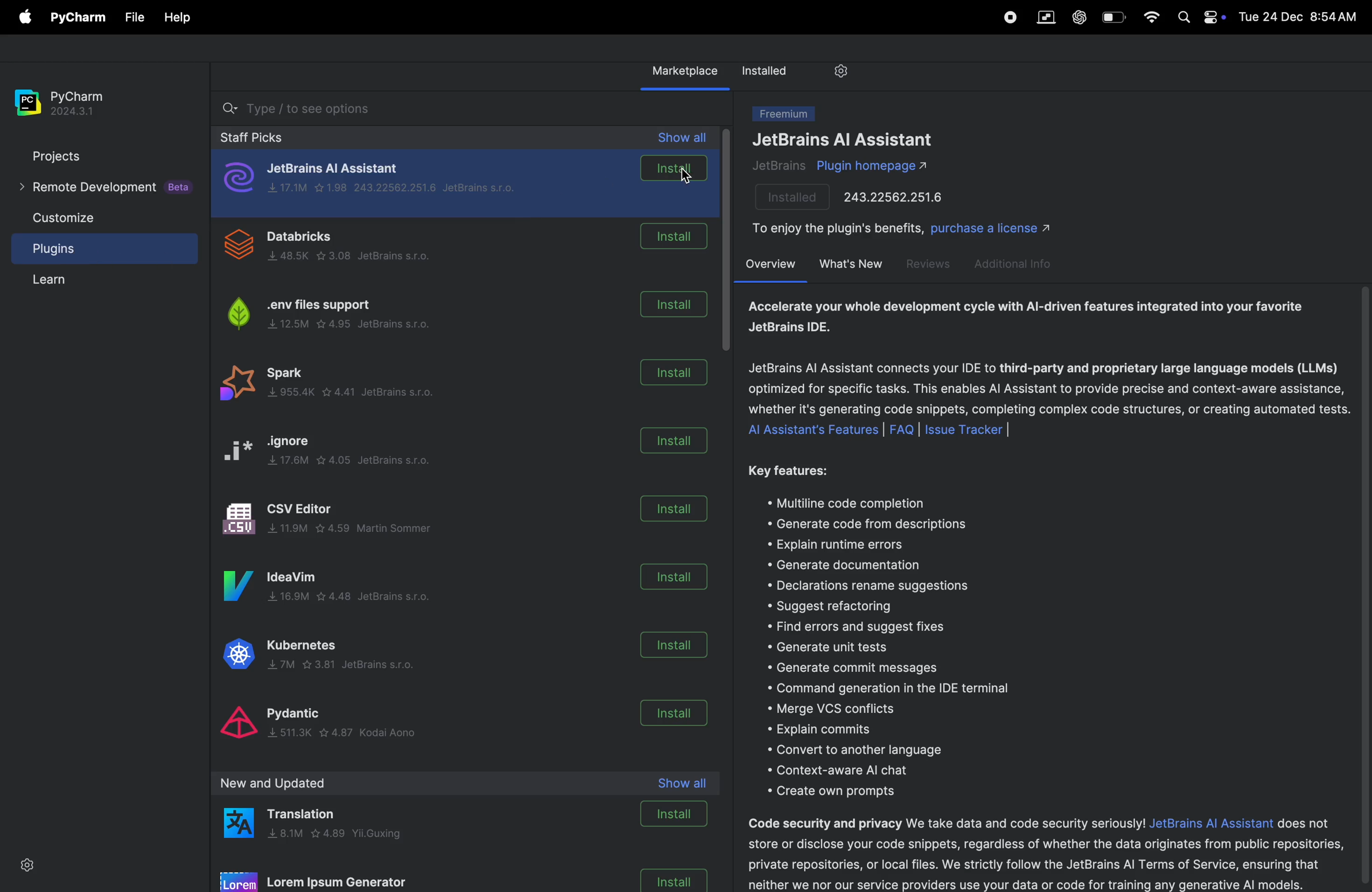 Image resolution: width=1372 pixels, height=892 pixels. I want to click on data bricks, so click(337, 248).